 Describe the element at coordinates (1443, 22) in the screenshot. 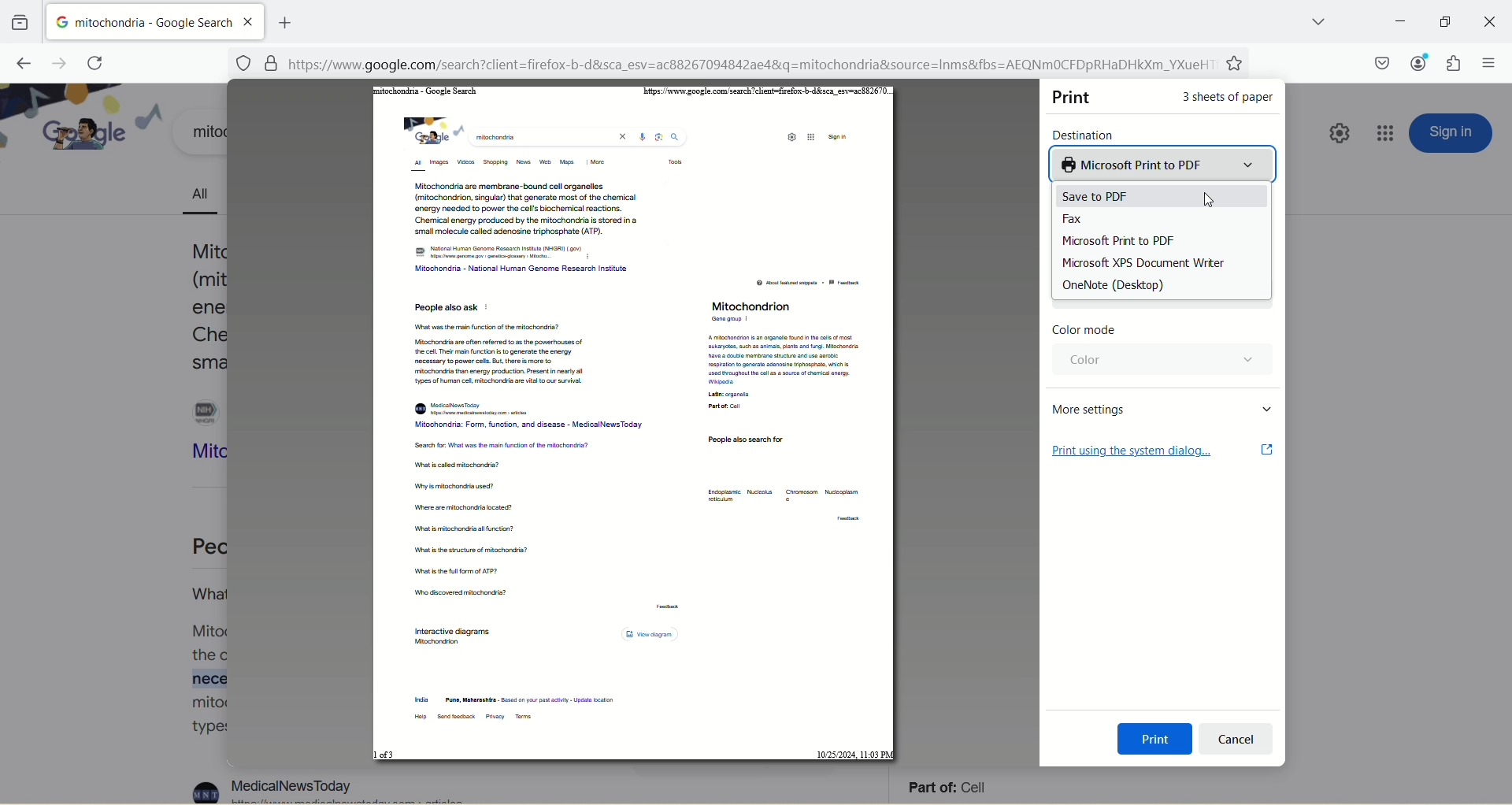

I see `maximize` at that location.